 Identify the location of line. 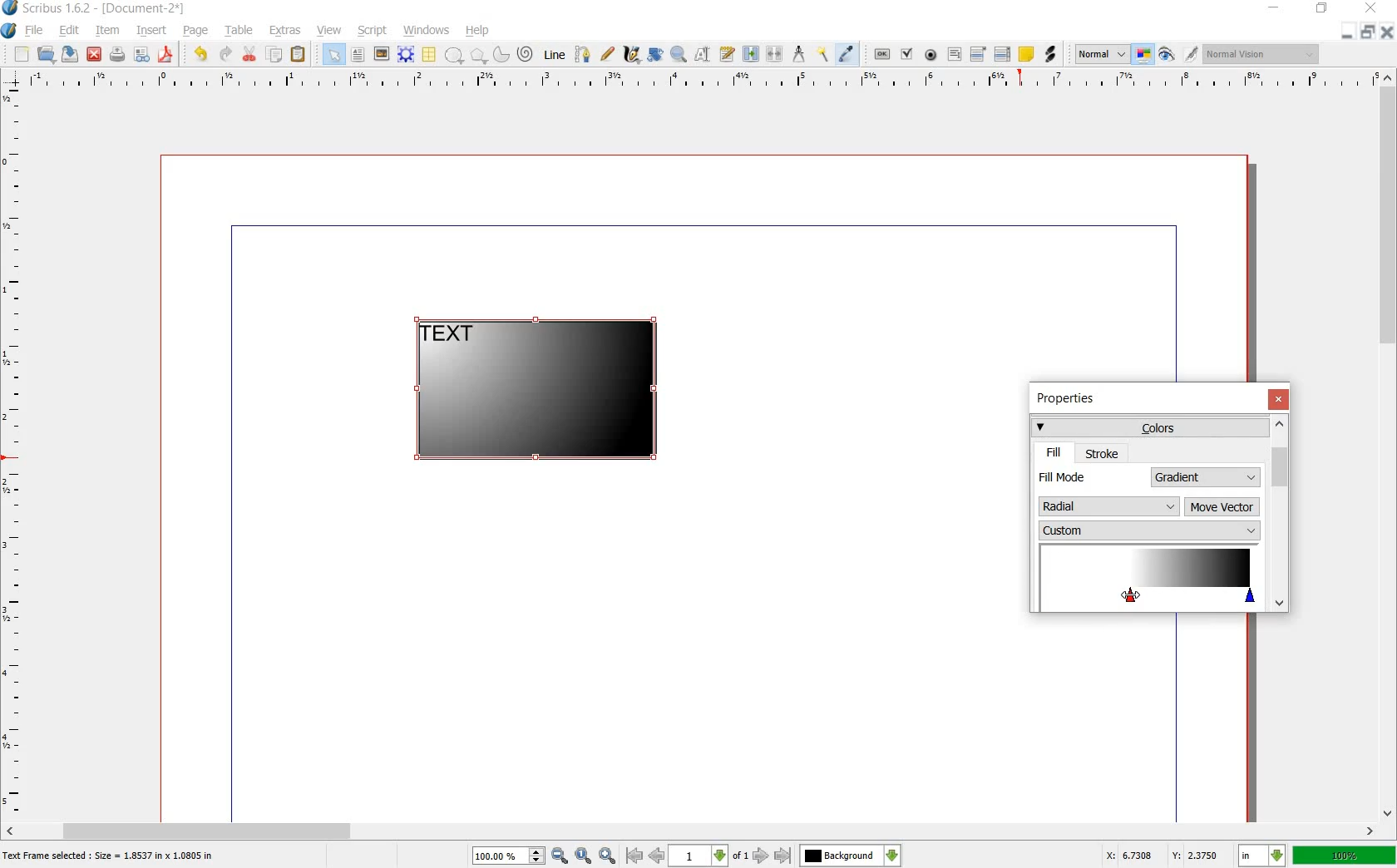
(556, 56).